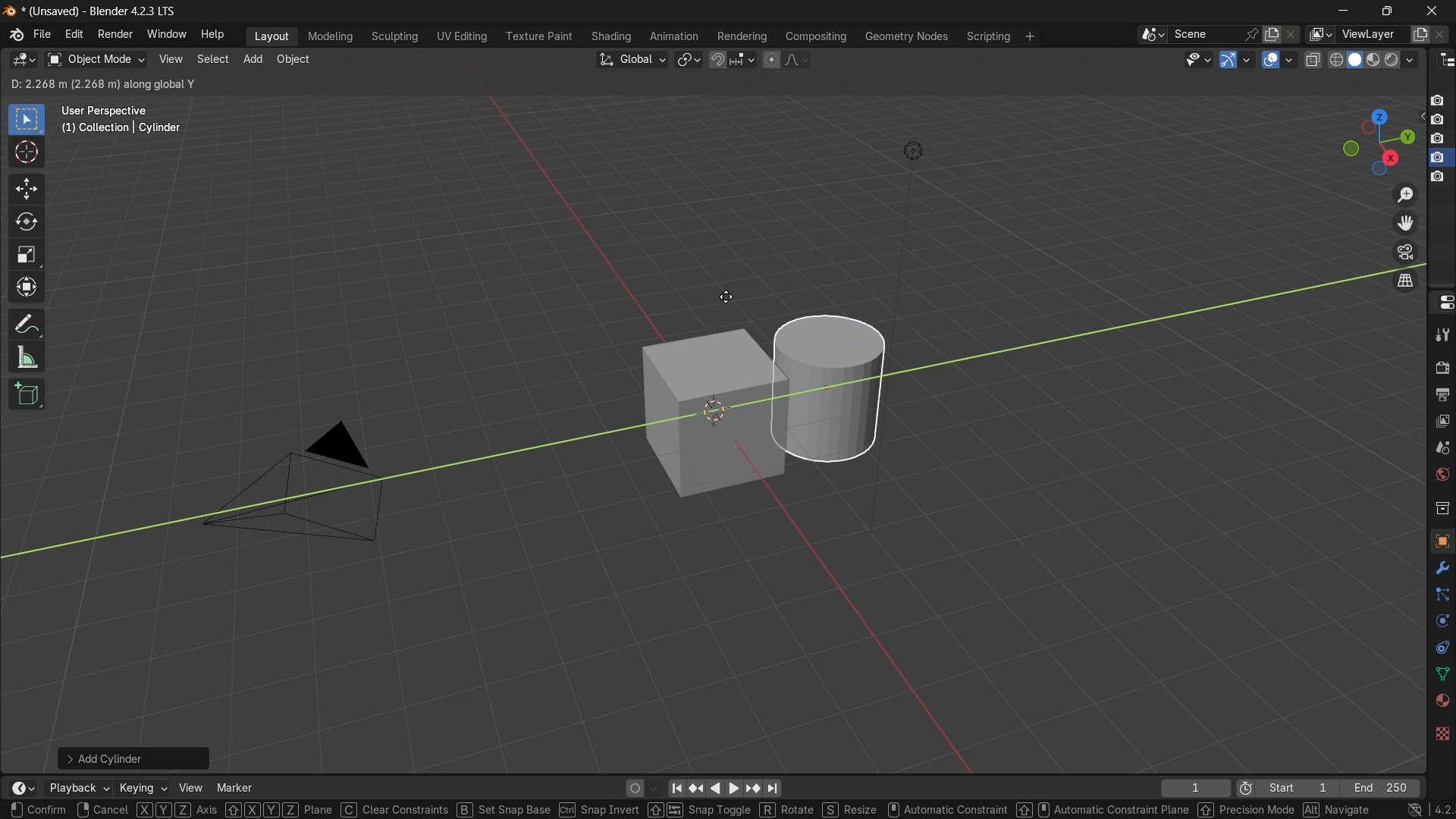  I want to click on XYZ plane, so click(278, 808).